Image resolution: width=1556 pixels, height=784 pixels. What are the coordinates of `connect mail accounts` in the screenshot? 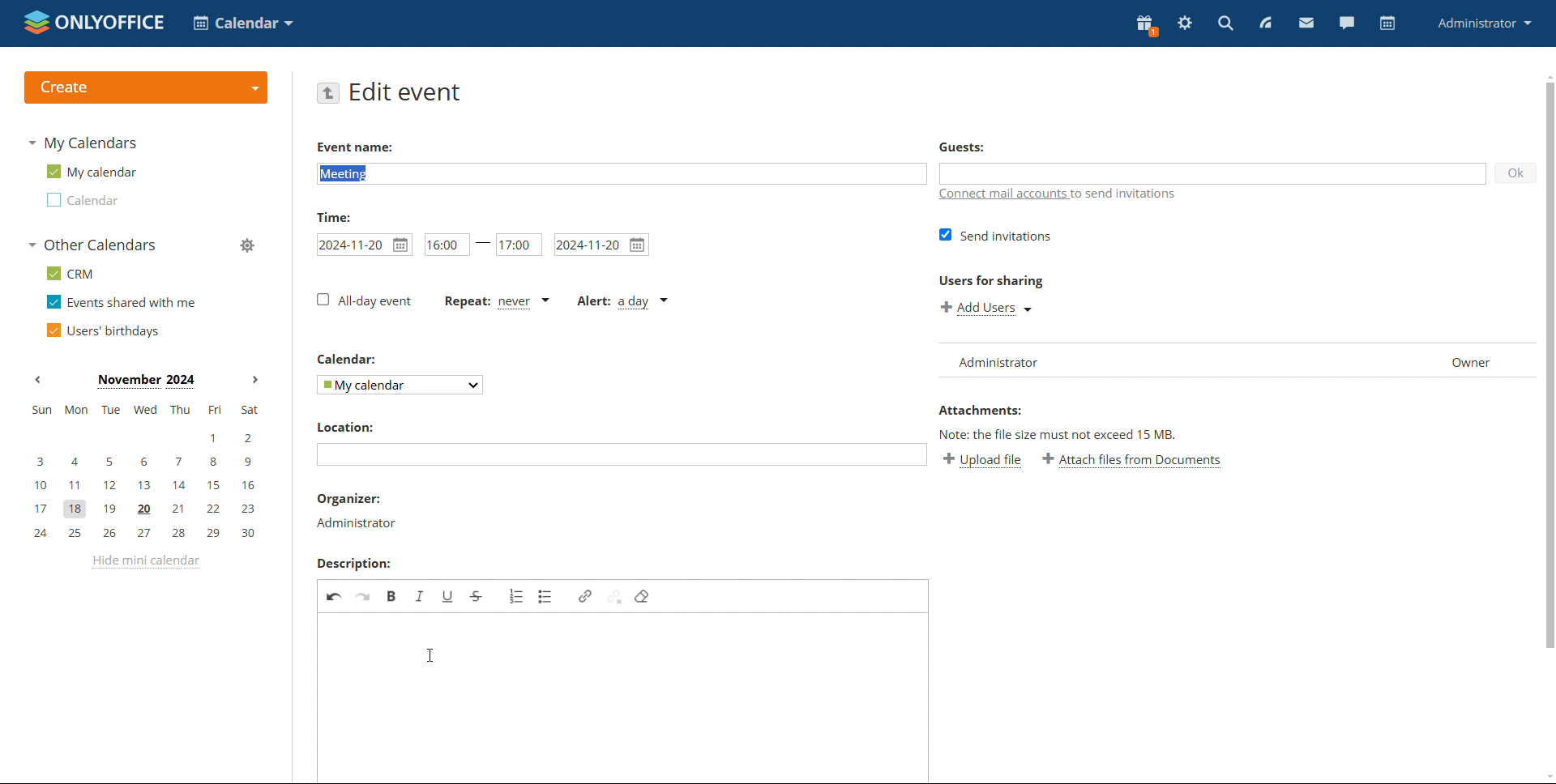 It's located at (1062, 195).